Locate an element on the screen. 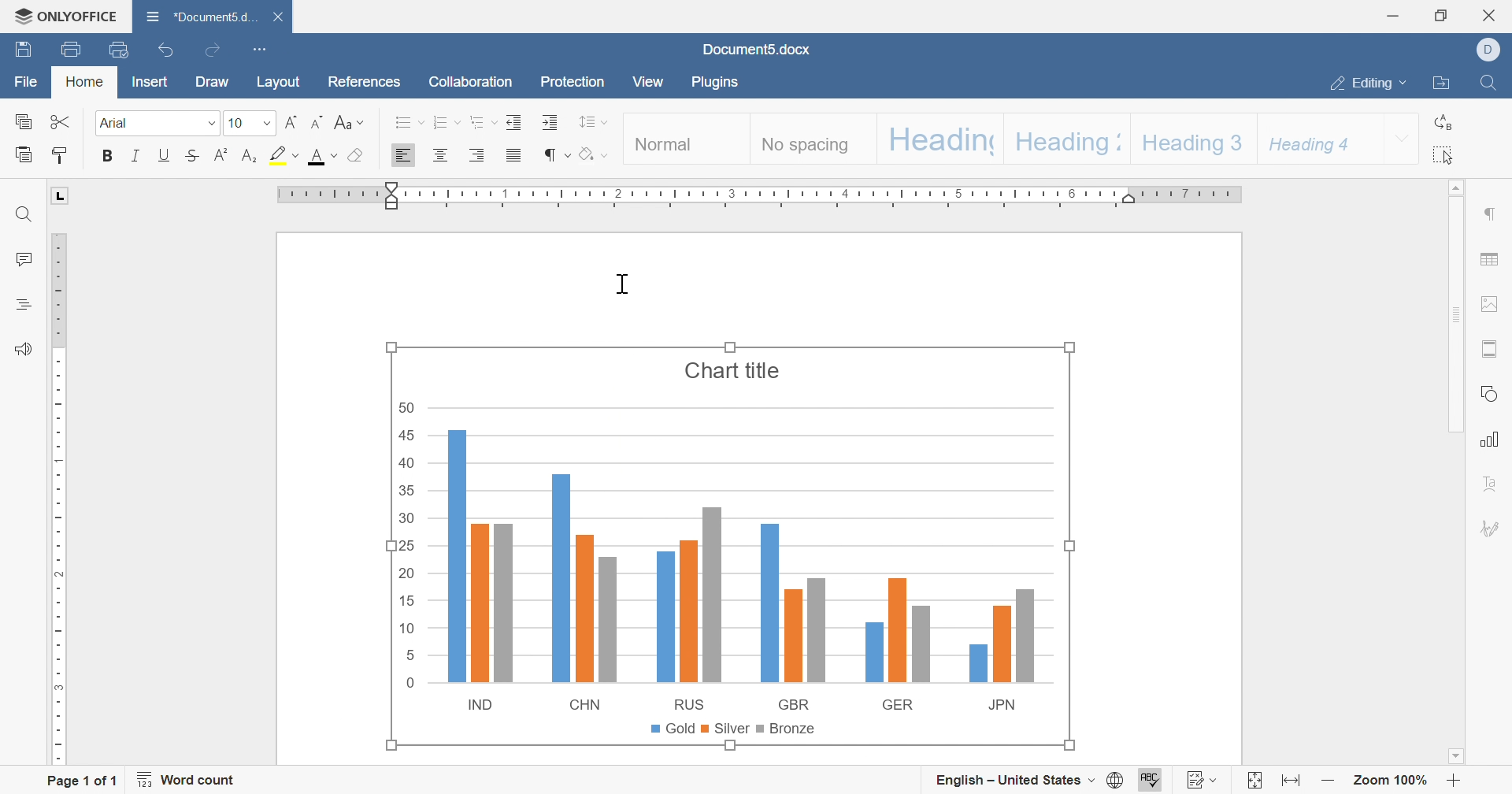  Align center is located at coordinates (440, 154).